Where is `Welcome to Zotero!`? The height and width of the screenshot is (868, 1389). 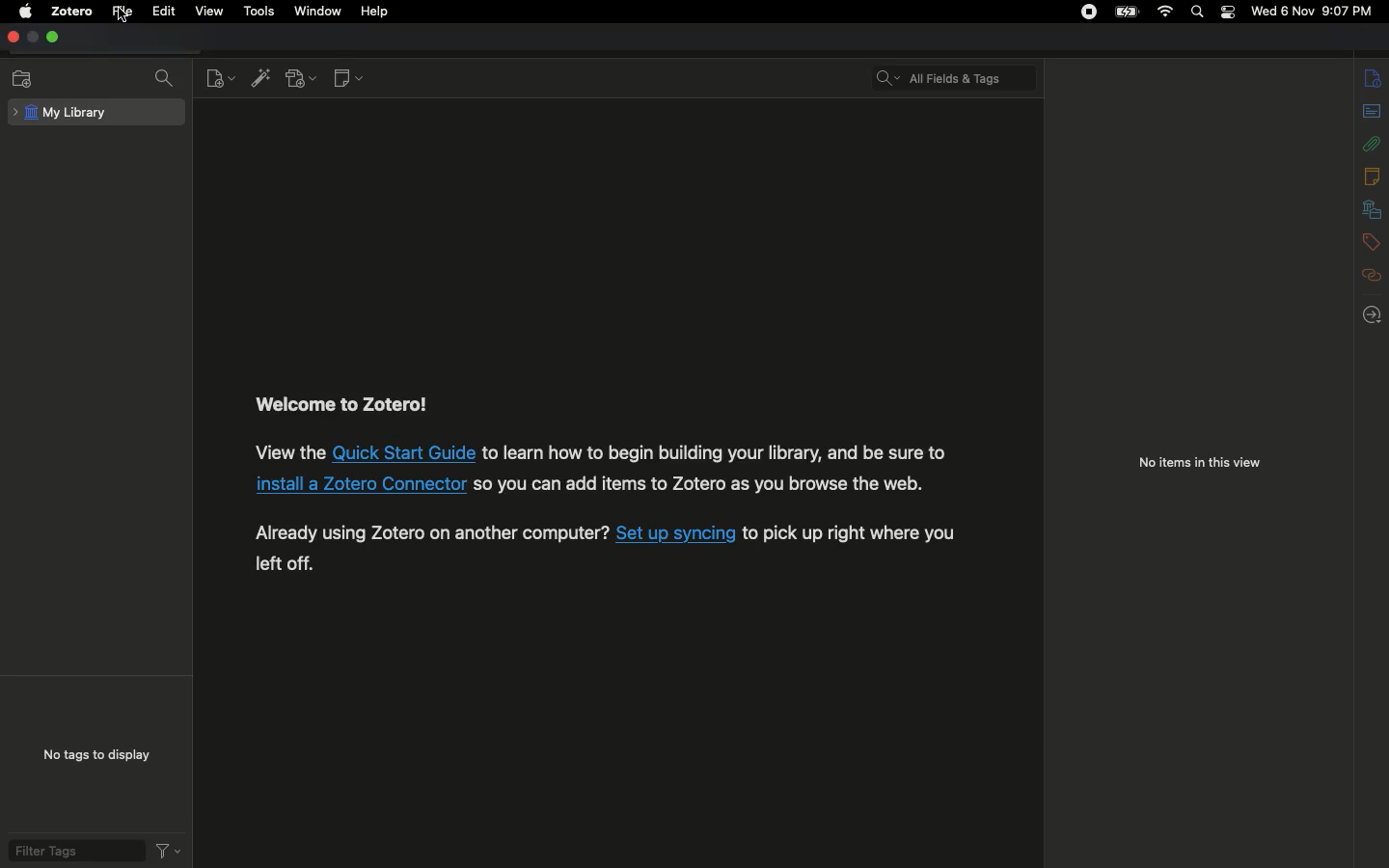
Welcome to Zotero! is located at coordinates (343, 405).